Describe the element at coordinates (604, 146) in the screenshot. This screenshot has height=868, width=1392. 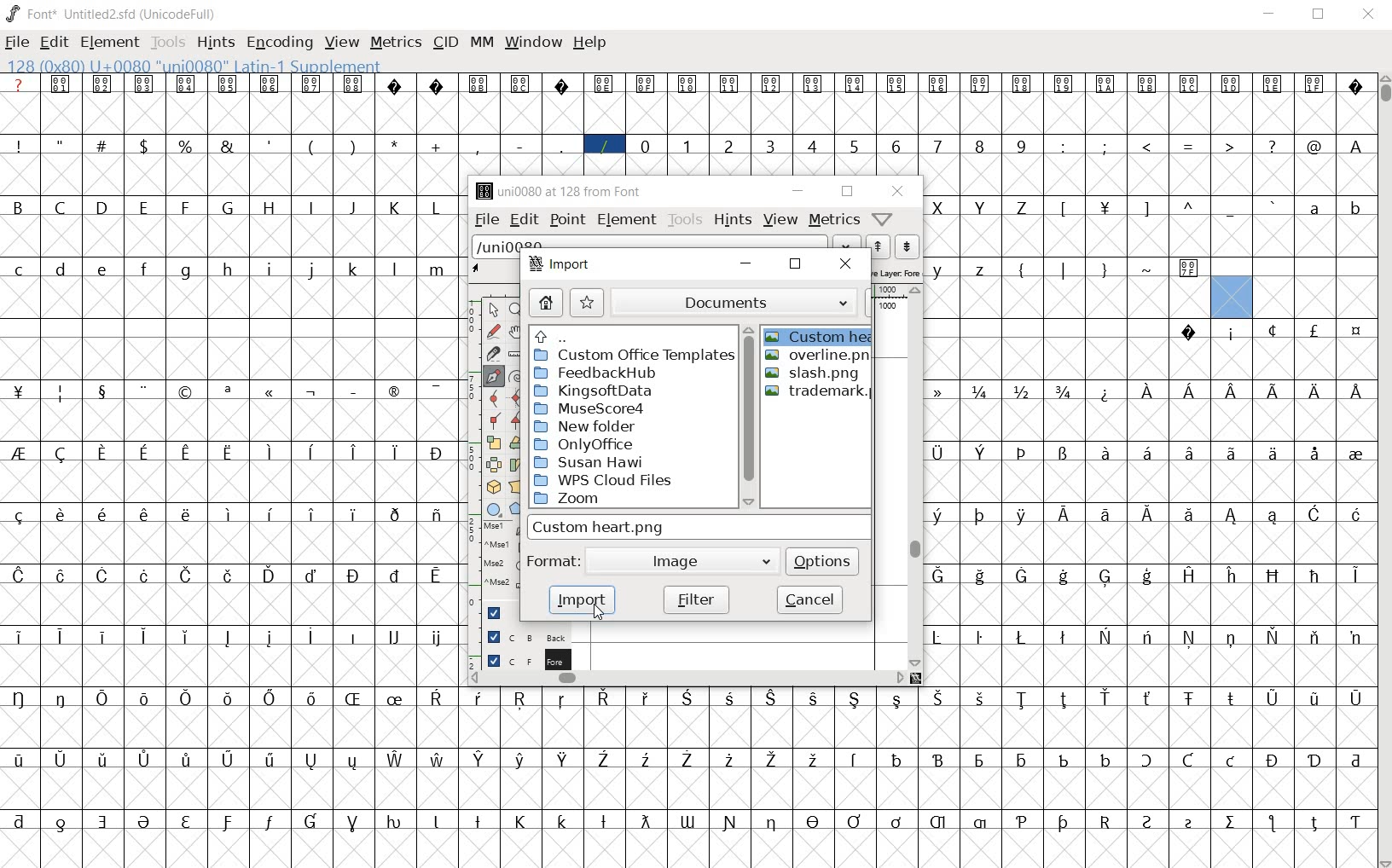
I see `glyph` at that location.